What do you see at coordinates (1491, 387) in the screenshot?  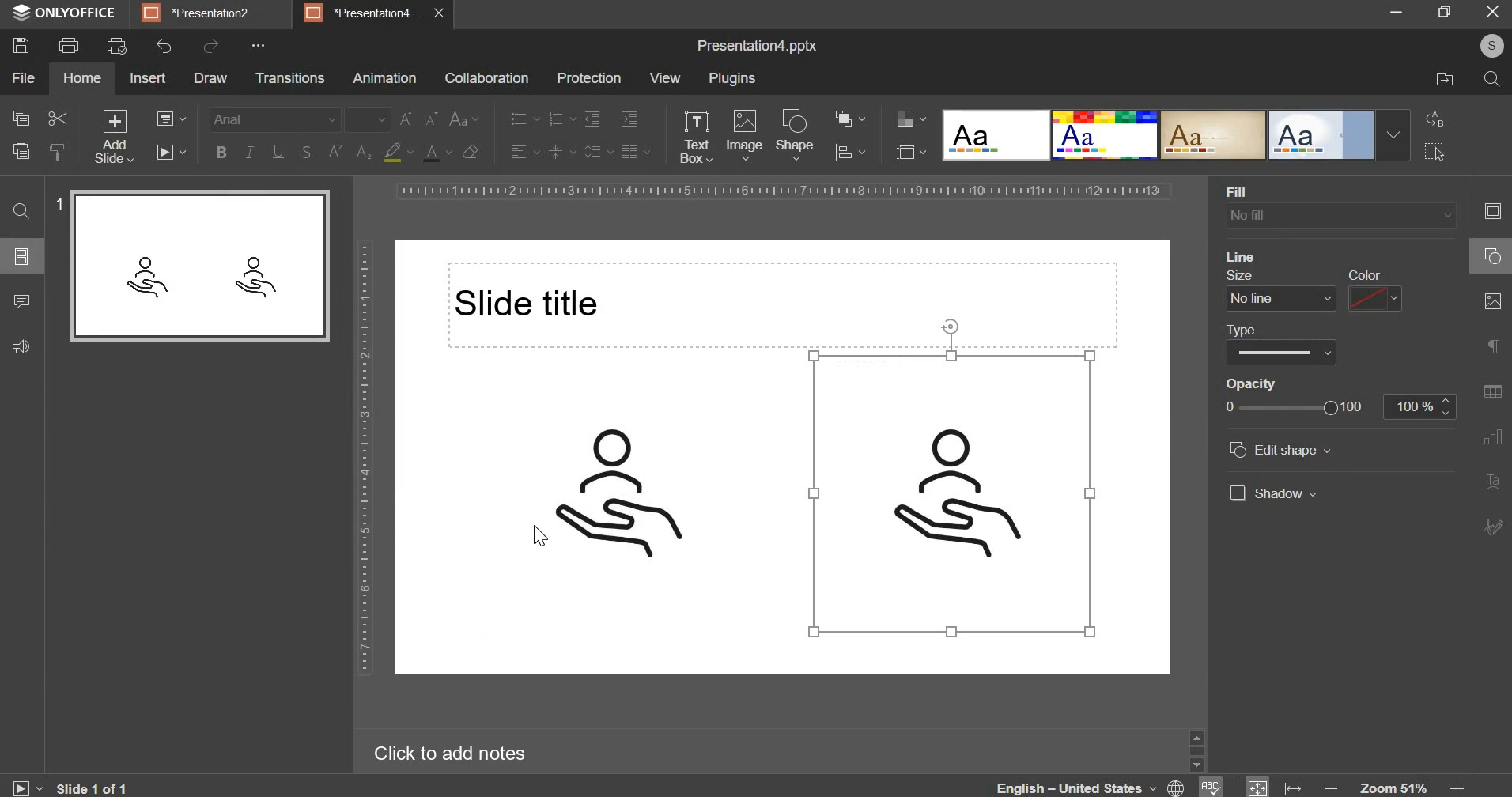 I see `table setting` at bounding box center [1491, 387].